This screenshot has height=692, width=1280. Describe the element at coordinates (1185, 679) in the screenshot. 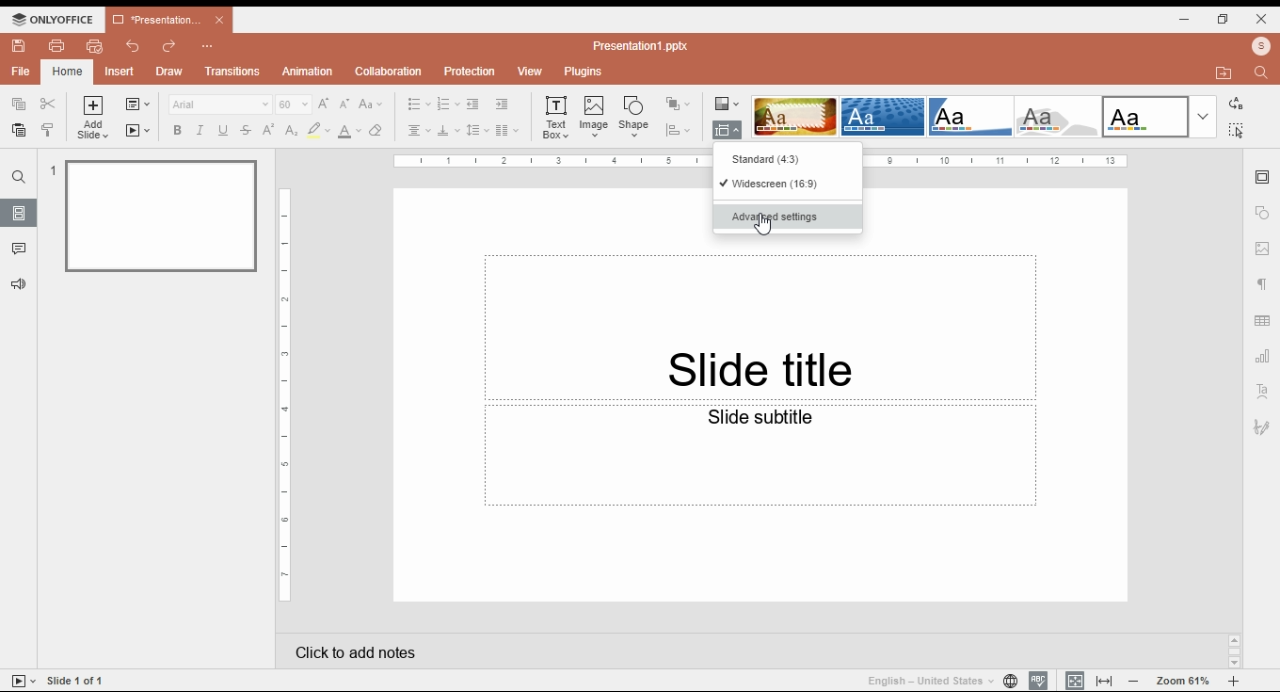

I see `Zoom 61%` at that location.